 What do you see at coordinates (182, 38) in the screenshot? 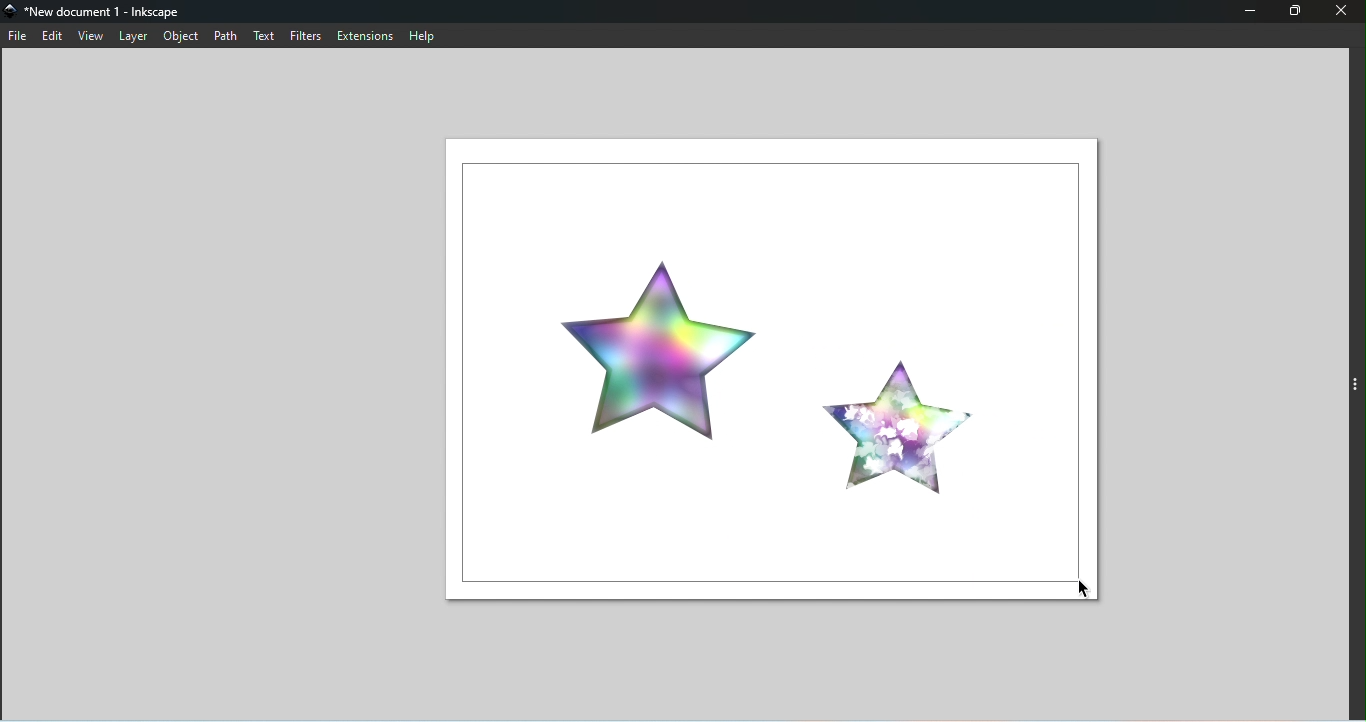
I see `Object` at bounding box center [182, 38].